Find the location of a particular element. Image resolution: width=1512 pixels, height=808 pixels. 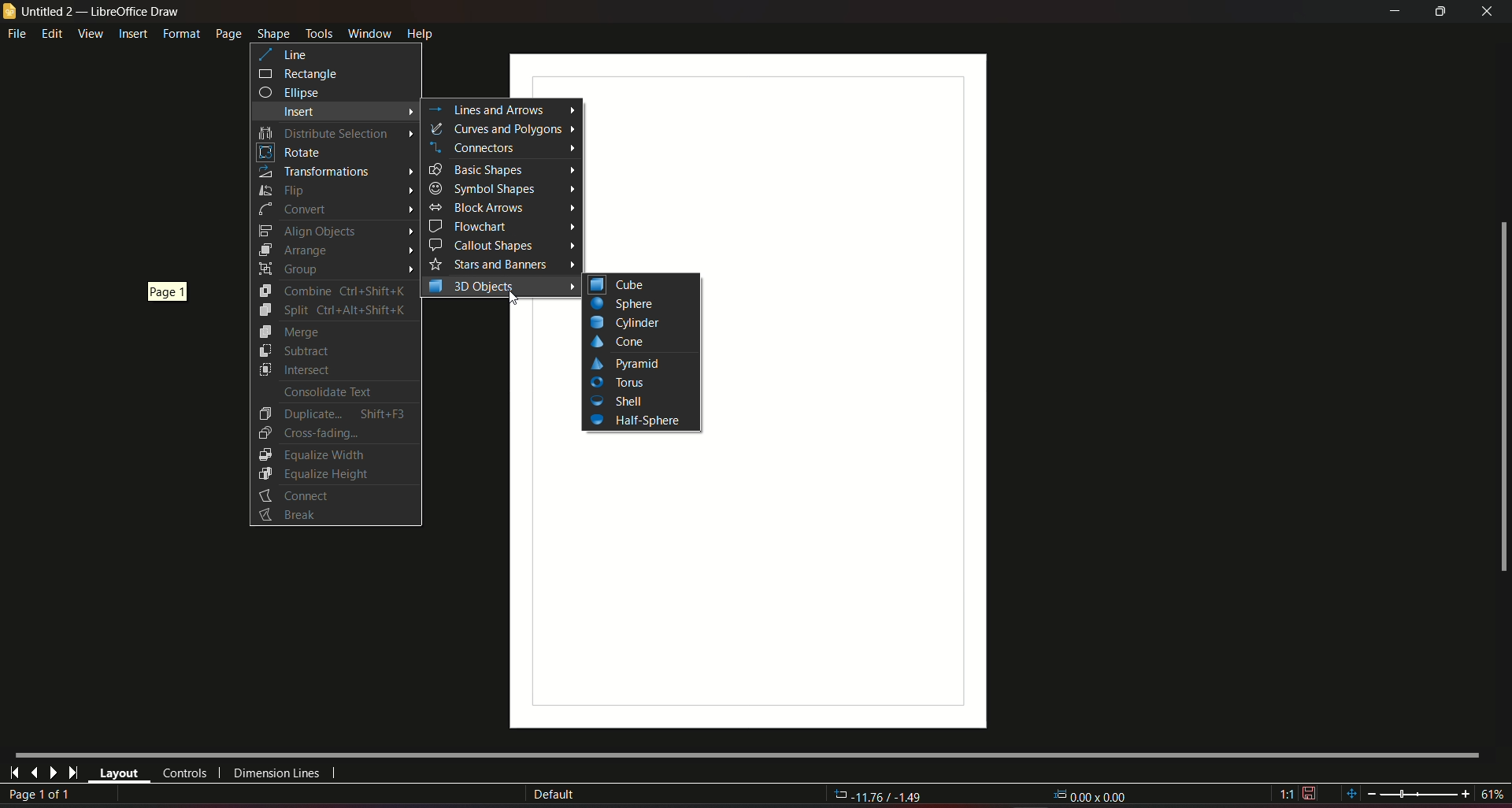

Flip is located at coordinates (283, 189).